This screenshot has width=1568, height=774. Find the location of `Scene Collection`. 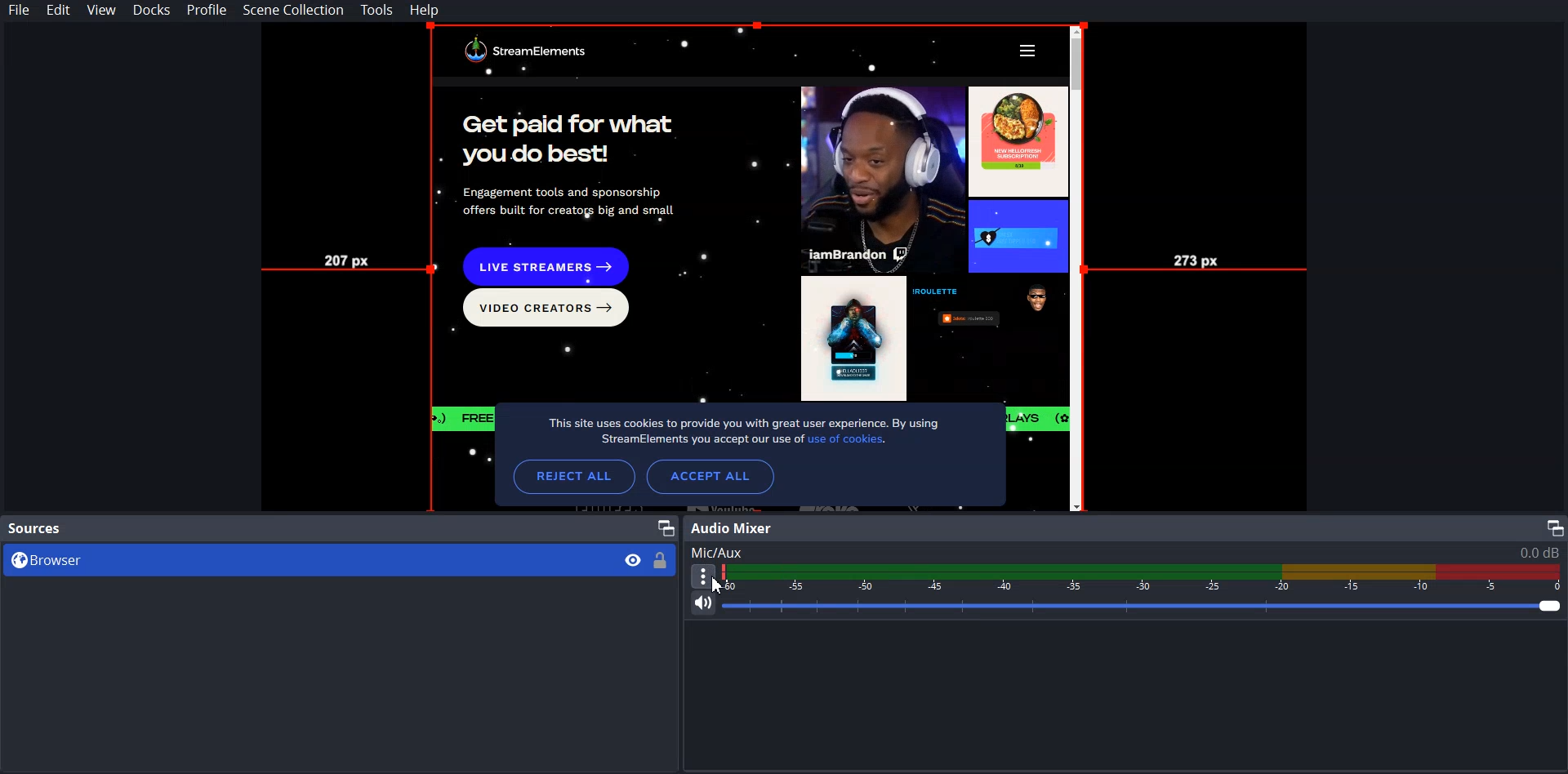

Scene Collection is located at coordinates (293, 11).